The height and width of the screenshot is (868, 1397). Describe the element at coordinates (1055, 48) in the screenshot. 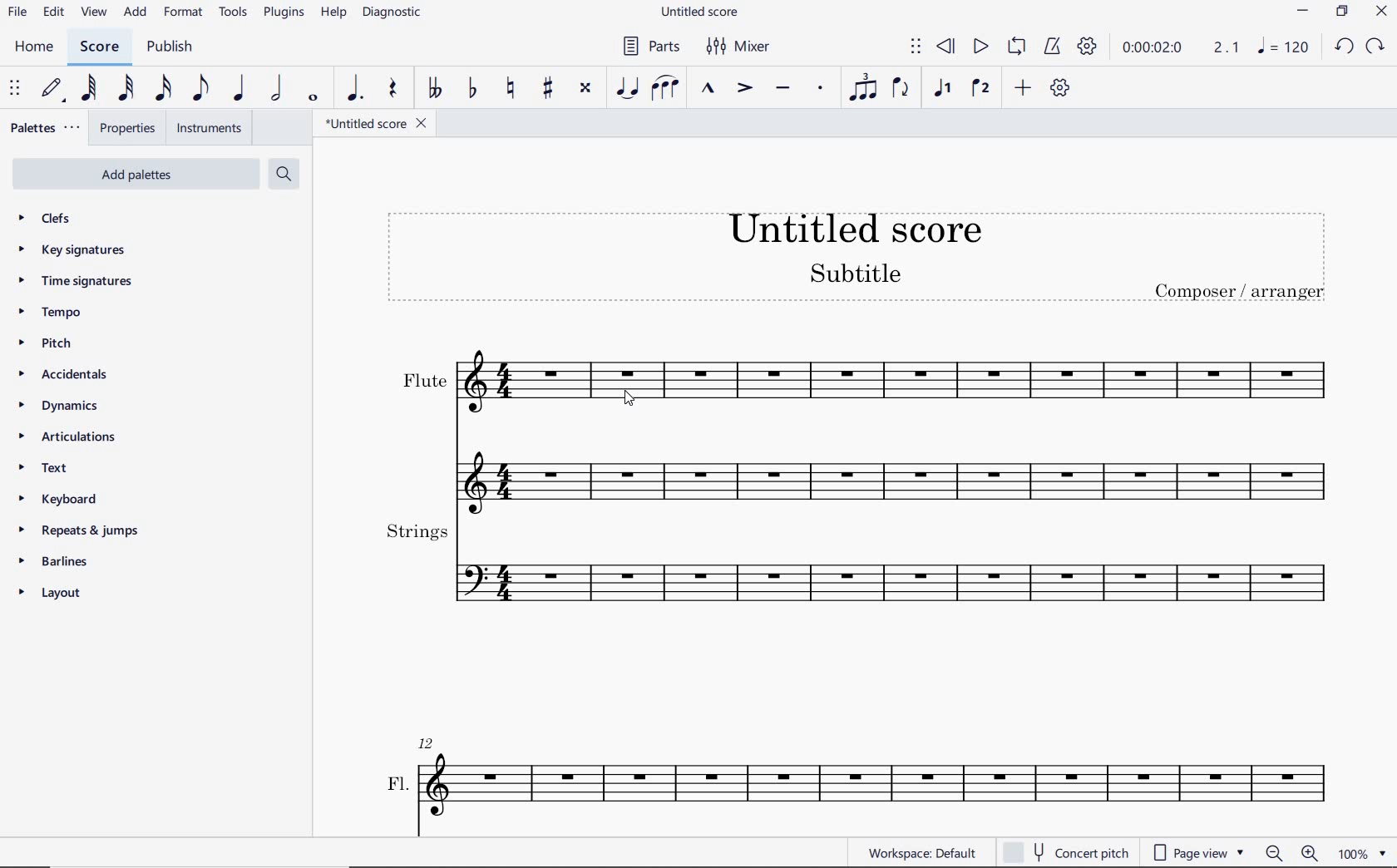

I see `METRONOME` at that location.